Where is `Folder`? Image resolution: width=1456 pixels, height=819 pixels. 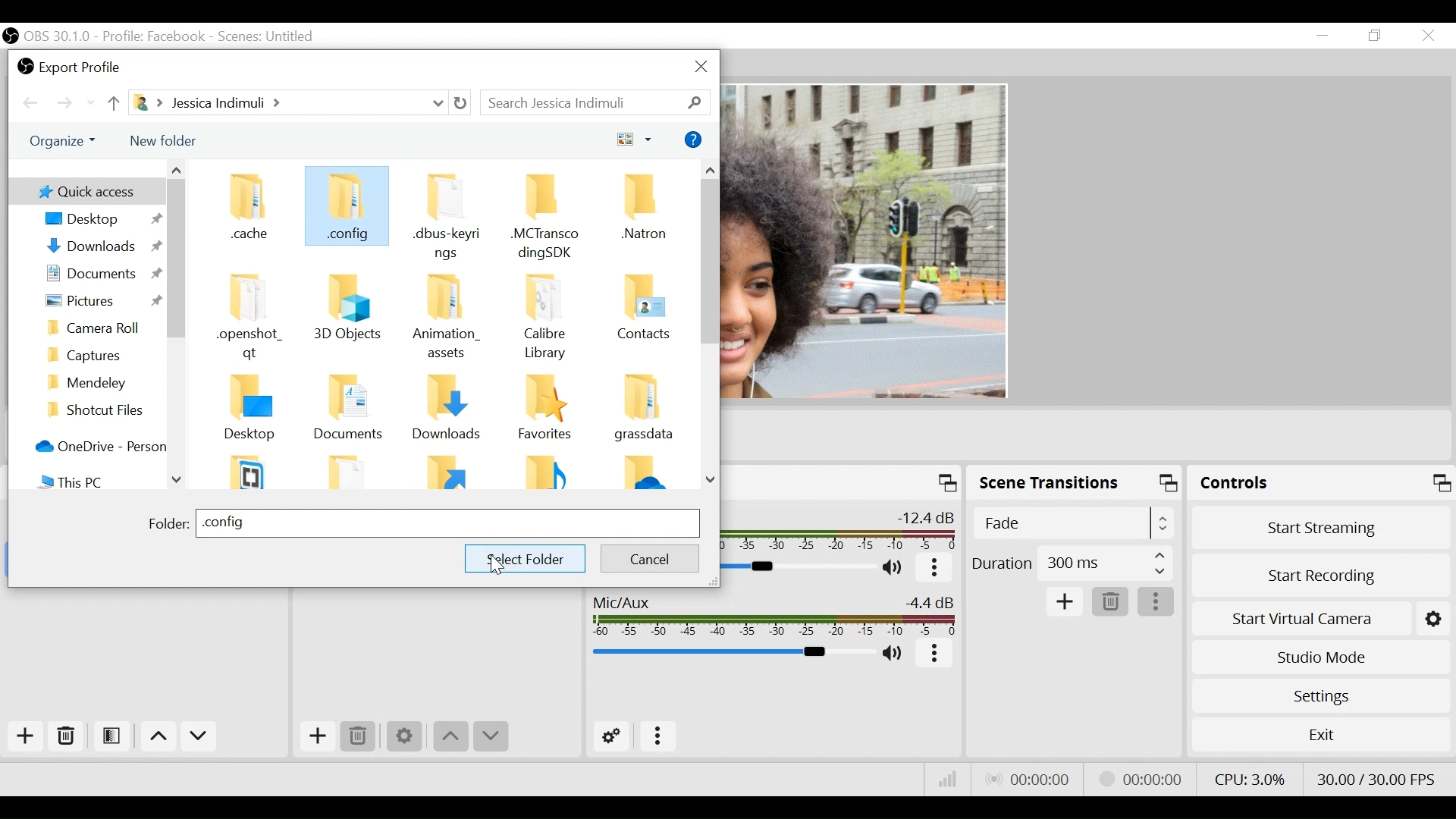 Folder is located at coordinates (449, 472).